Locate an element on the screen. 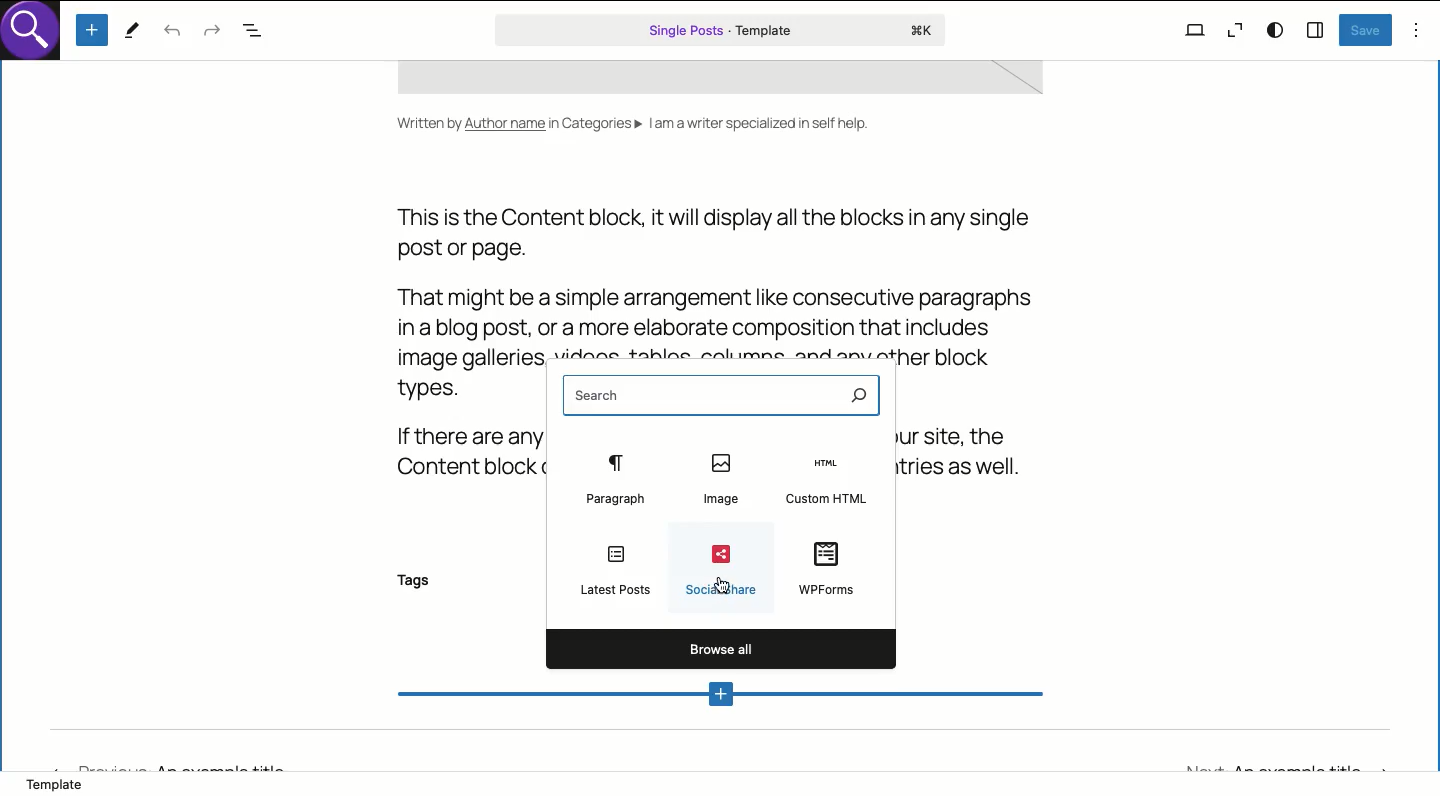 The width and height of the screenshot is (1440, 796). Add new block is located at coordinates (718, 697).